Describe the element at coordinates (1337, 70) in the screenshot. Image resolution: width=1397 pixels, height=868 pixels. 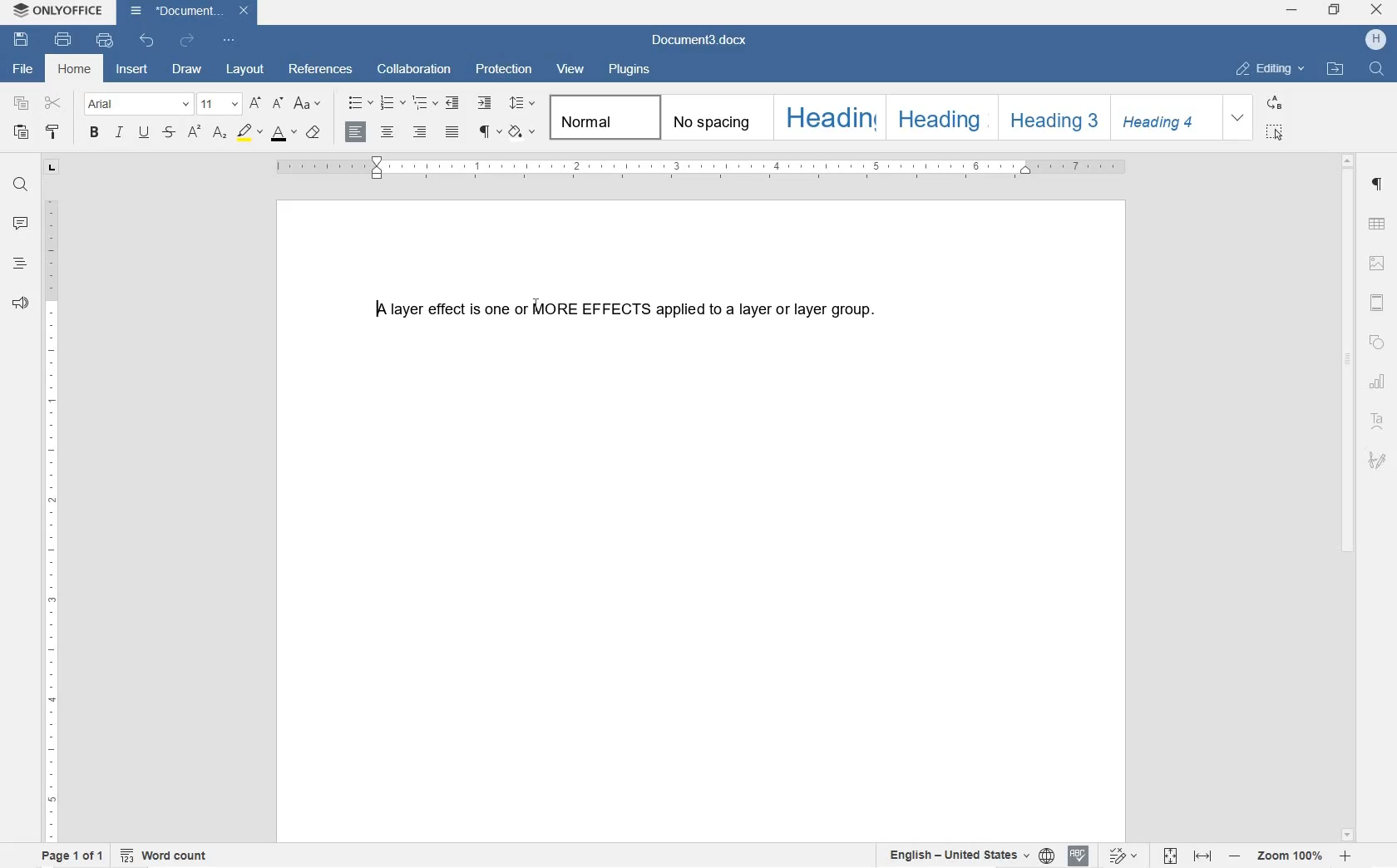
I see `OPEN FILE LOCATION` at that location.